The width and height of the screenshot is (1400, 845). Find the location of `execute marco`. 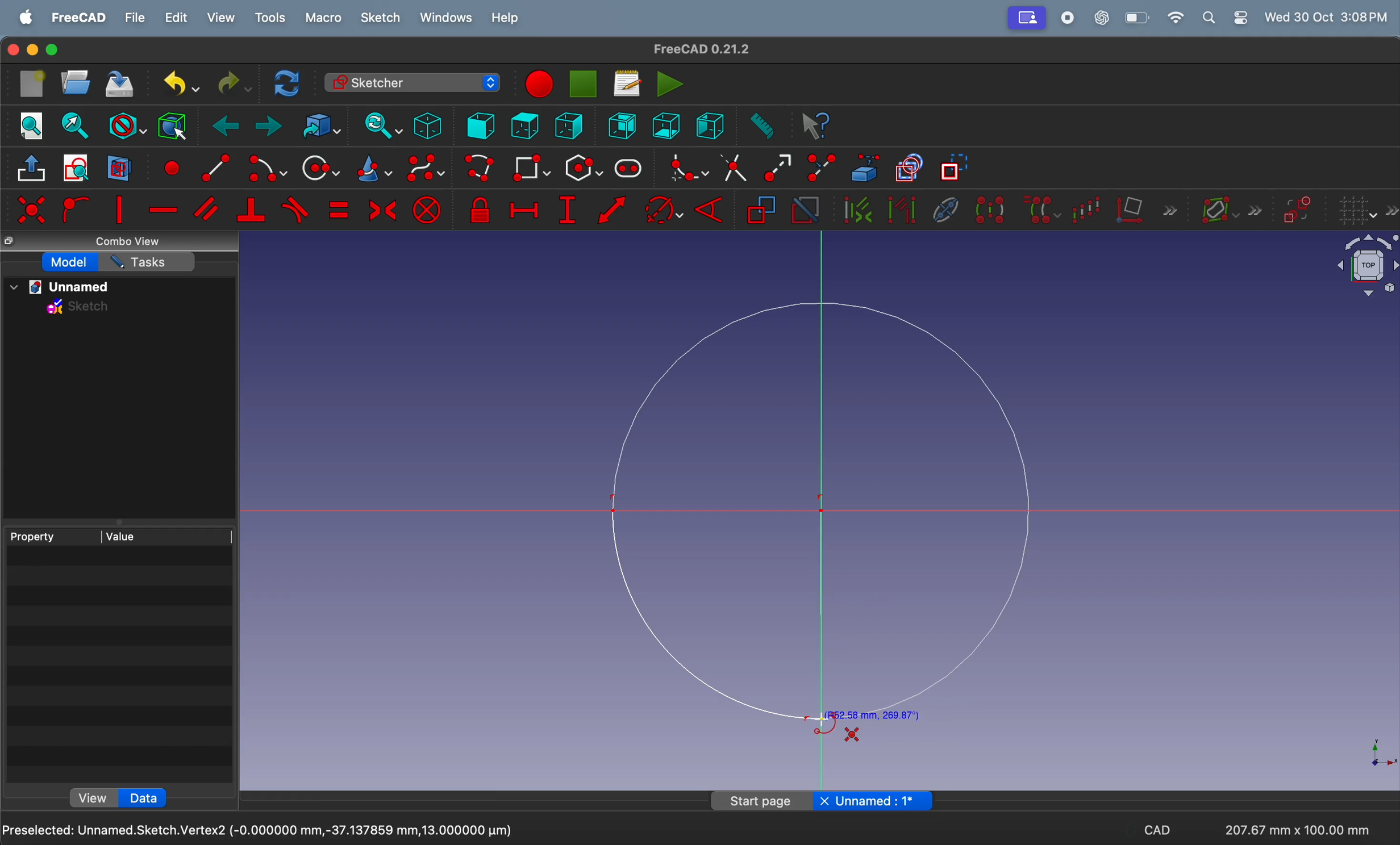

execute marco is located at coordinates (670, 83).